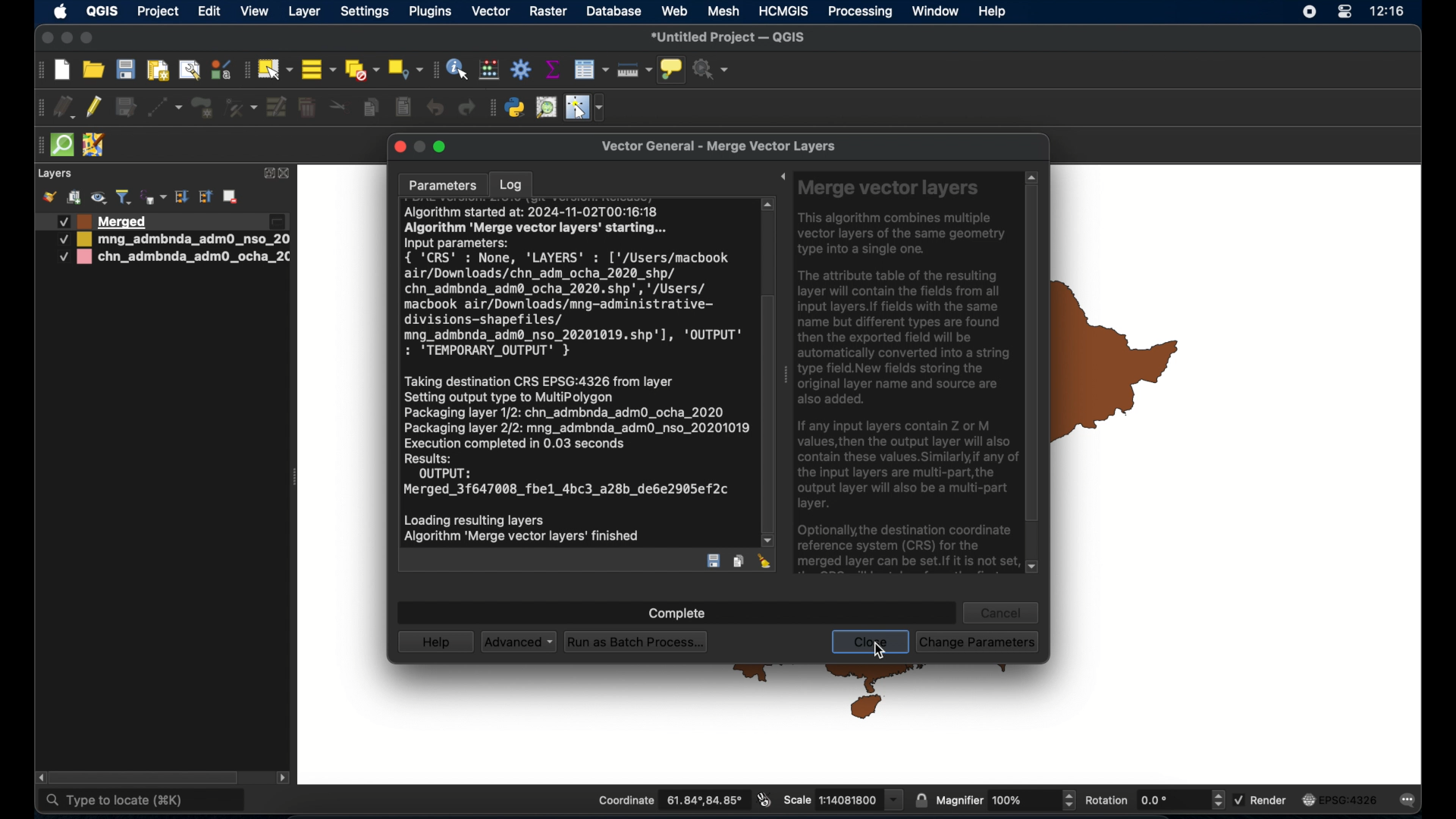  Describe the element at coordinates (125, 71) in the screenshot. I see `save project` at that location.